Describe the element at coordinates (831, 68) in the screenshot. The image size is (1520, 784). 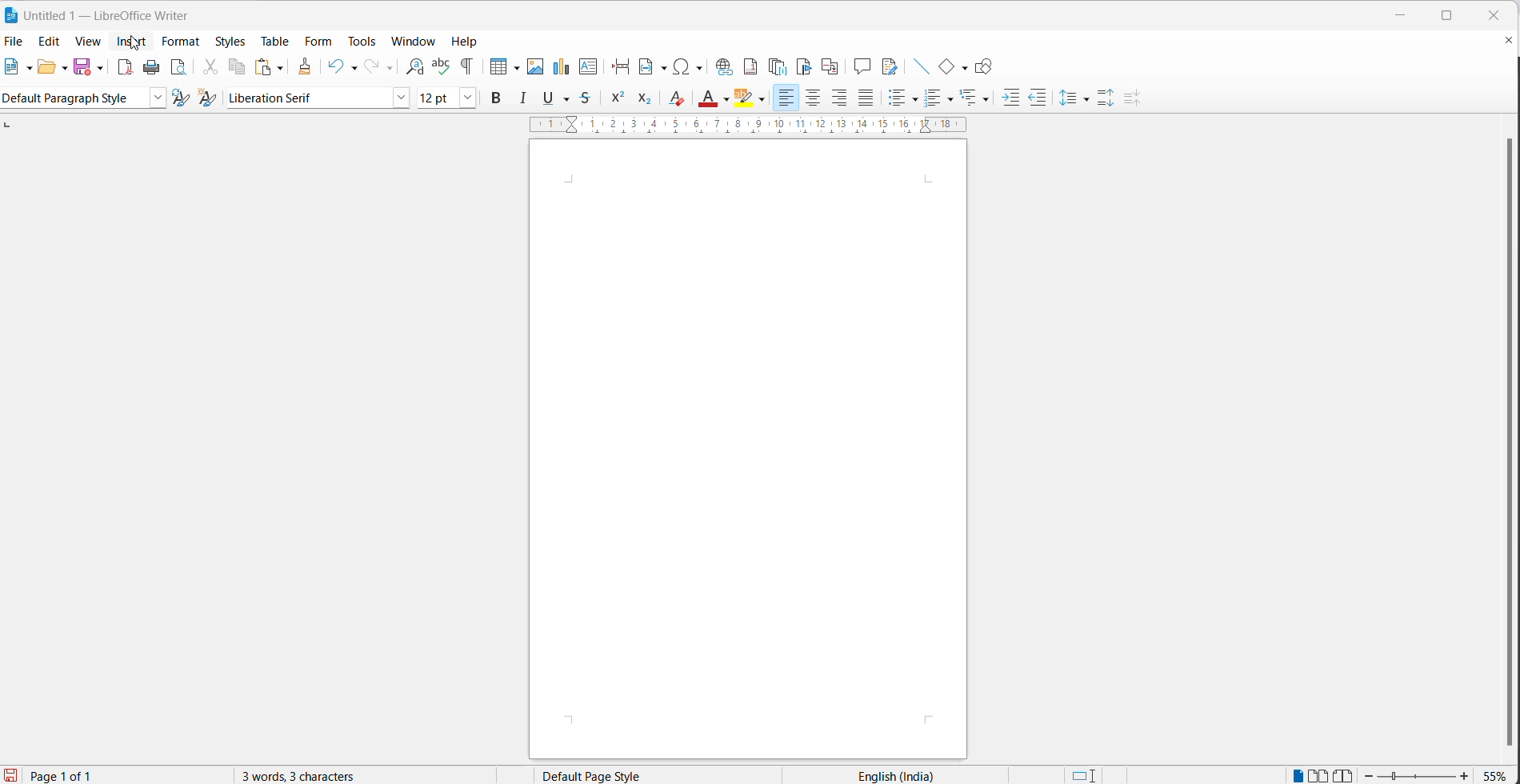
I see `insert cross-reference` at that location.